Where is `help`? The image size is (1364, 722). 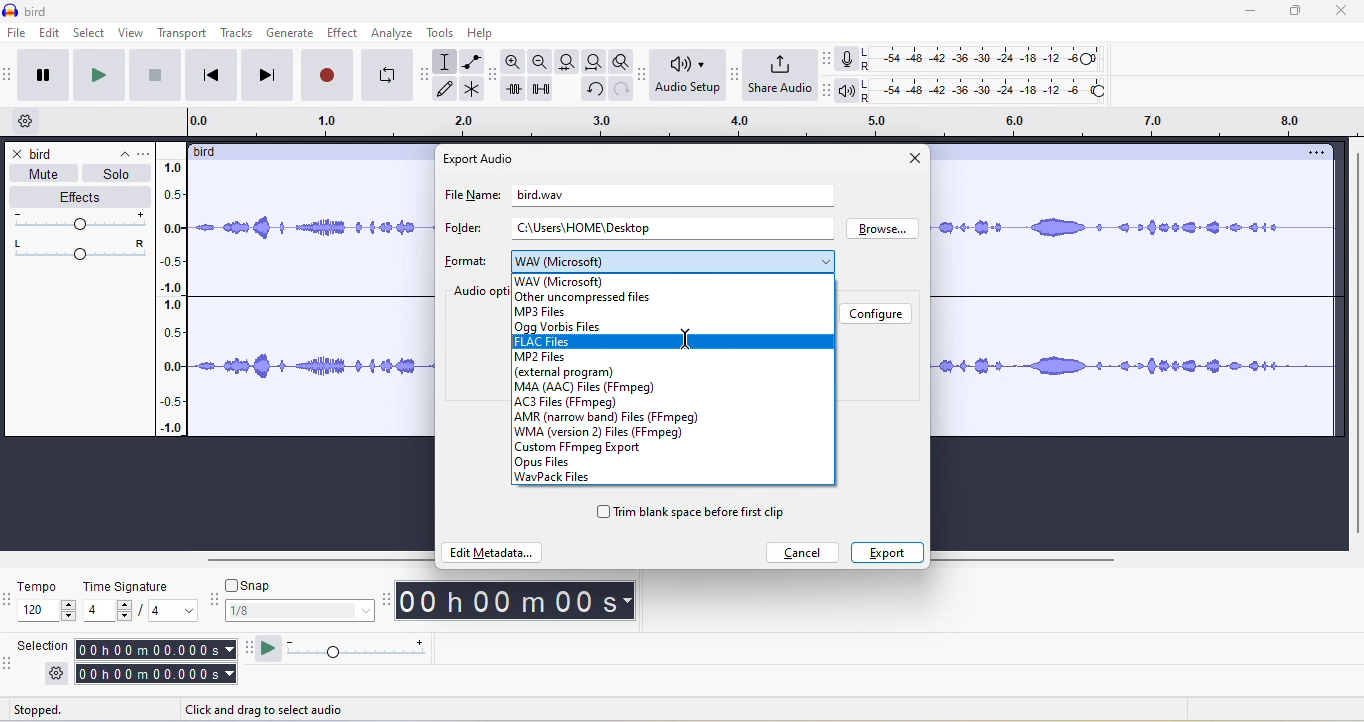 help is located at coordinates (485, 33).